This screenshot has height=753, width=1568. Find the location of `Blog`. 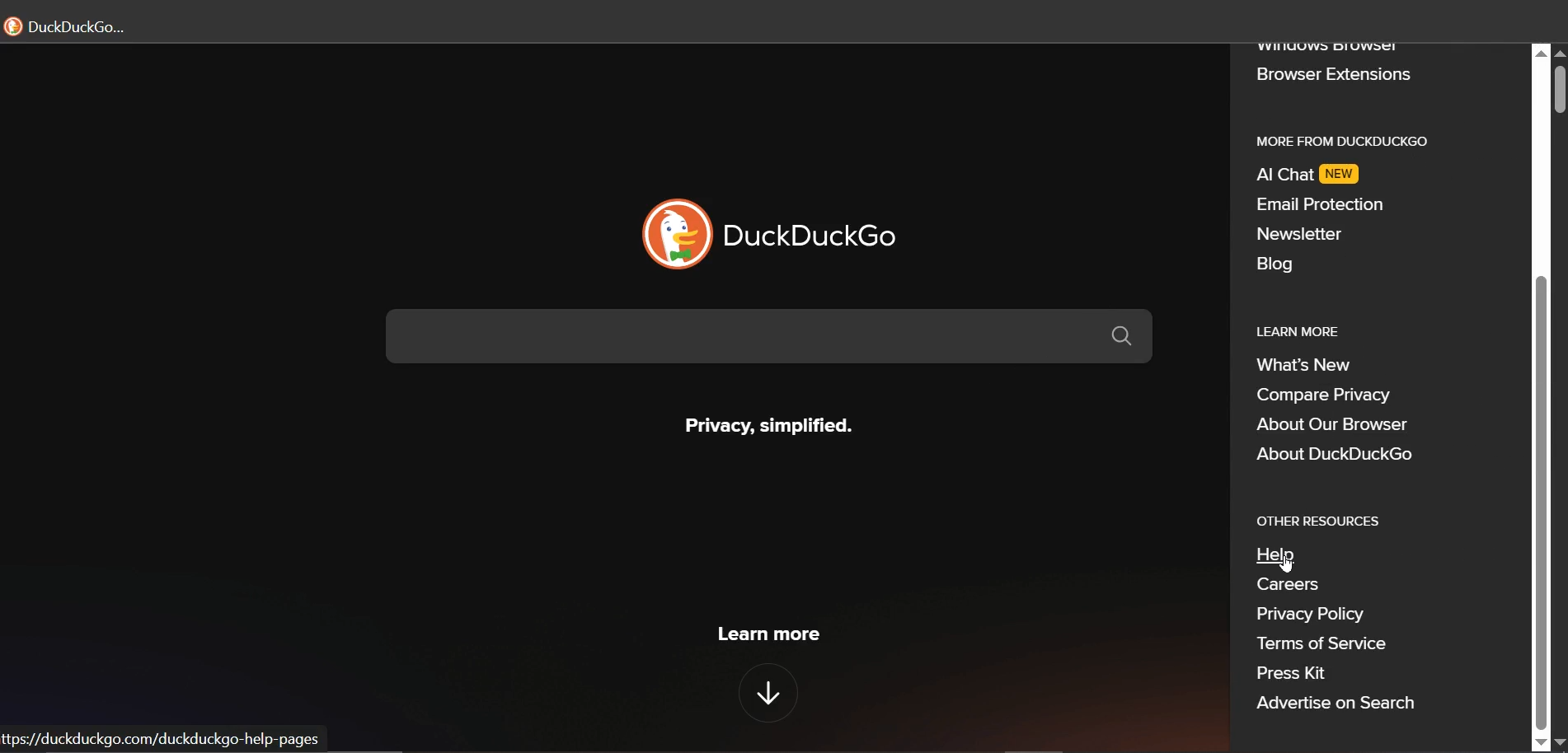

Blog is located at coordinates (1277, 264).